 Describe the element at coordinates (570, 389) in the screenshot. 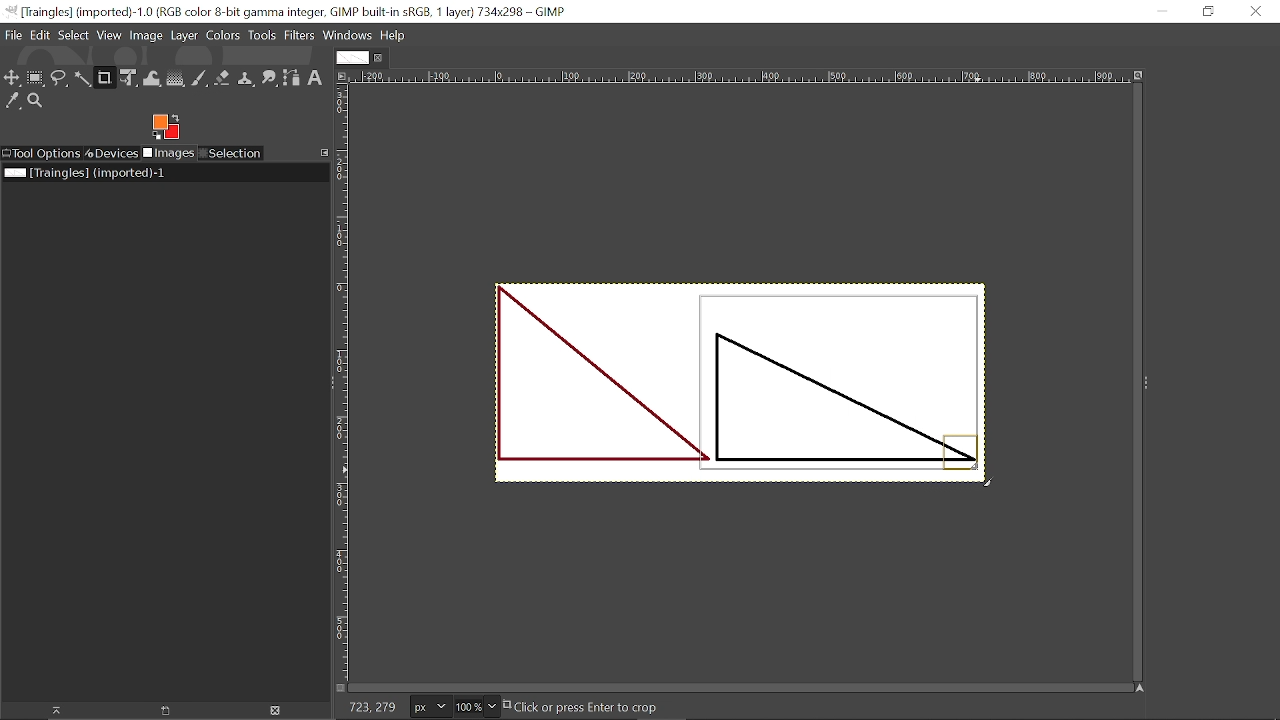

I see `image` at that location.